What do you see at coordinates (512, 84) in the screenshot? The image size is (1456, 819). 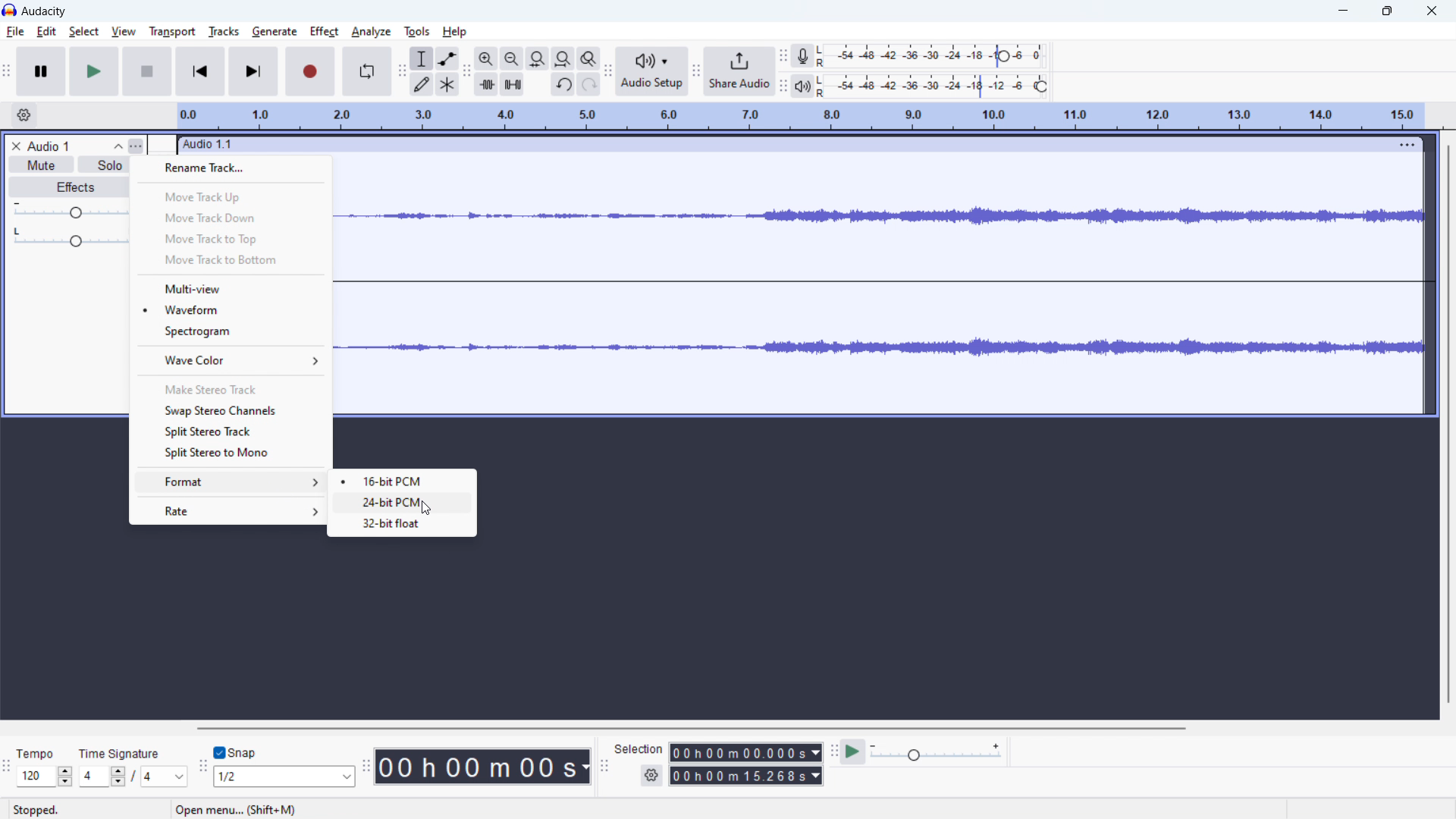 I see `silence audio selection` at bounding box center [512, 84].